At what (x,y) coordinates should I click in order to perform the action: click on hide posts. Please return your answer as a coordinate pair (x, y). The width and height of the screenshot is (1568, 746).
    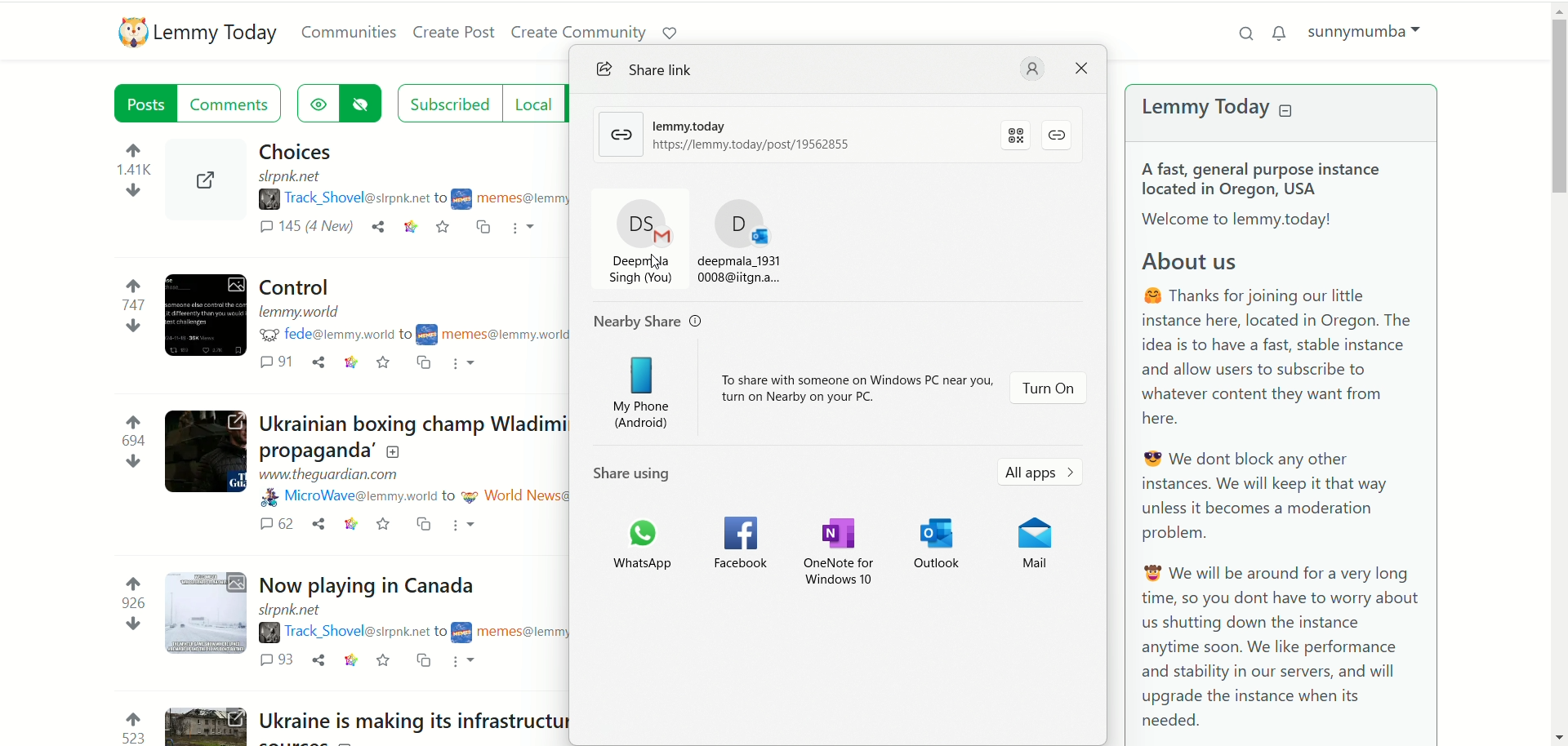
    Looking at the image, I should click on (362, 105).